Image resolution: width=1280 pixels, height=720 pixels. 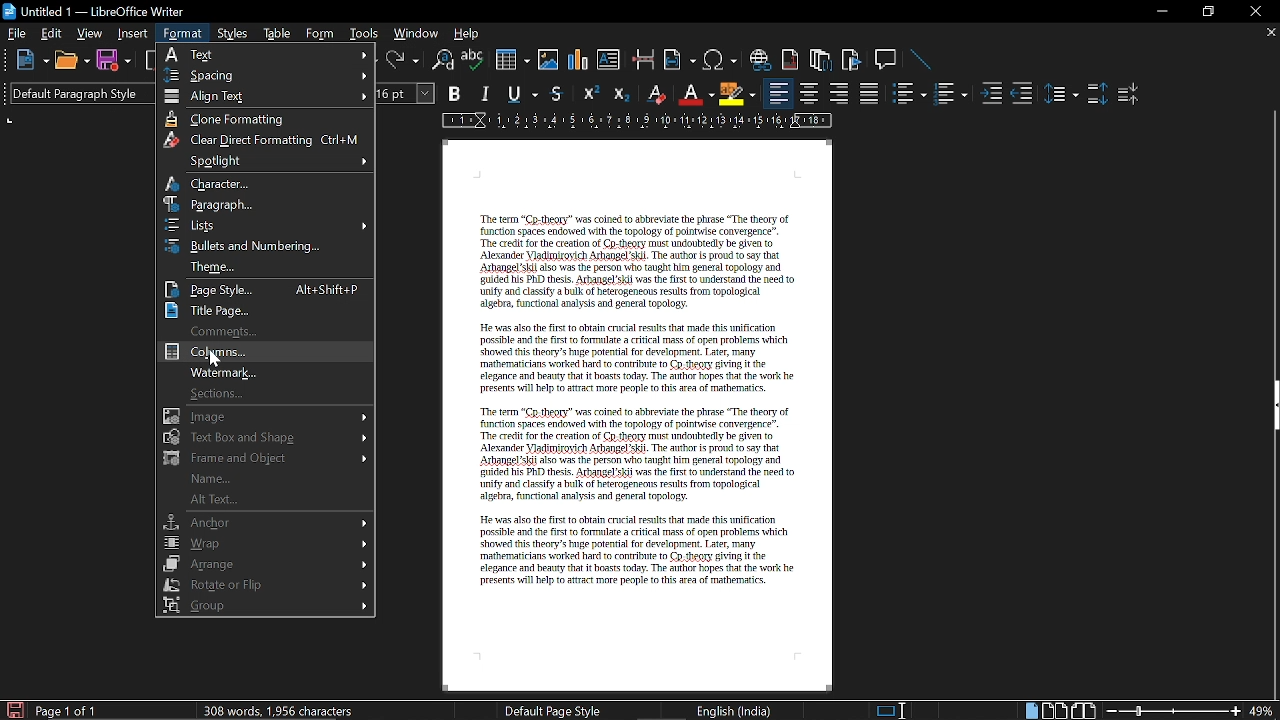 I want to click on Clear direct formatting, so click(x=266, y=141).